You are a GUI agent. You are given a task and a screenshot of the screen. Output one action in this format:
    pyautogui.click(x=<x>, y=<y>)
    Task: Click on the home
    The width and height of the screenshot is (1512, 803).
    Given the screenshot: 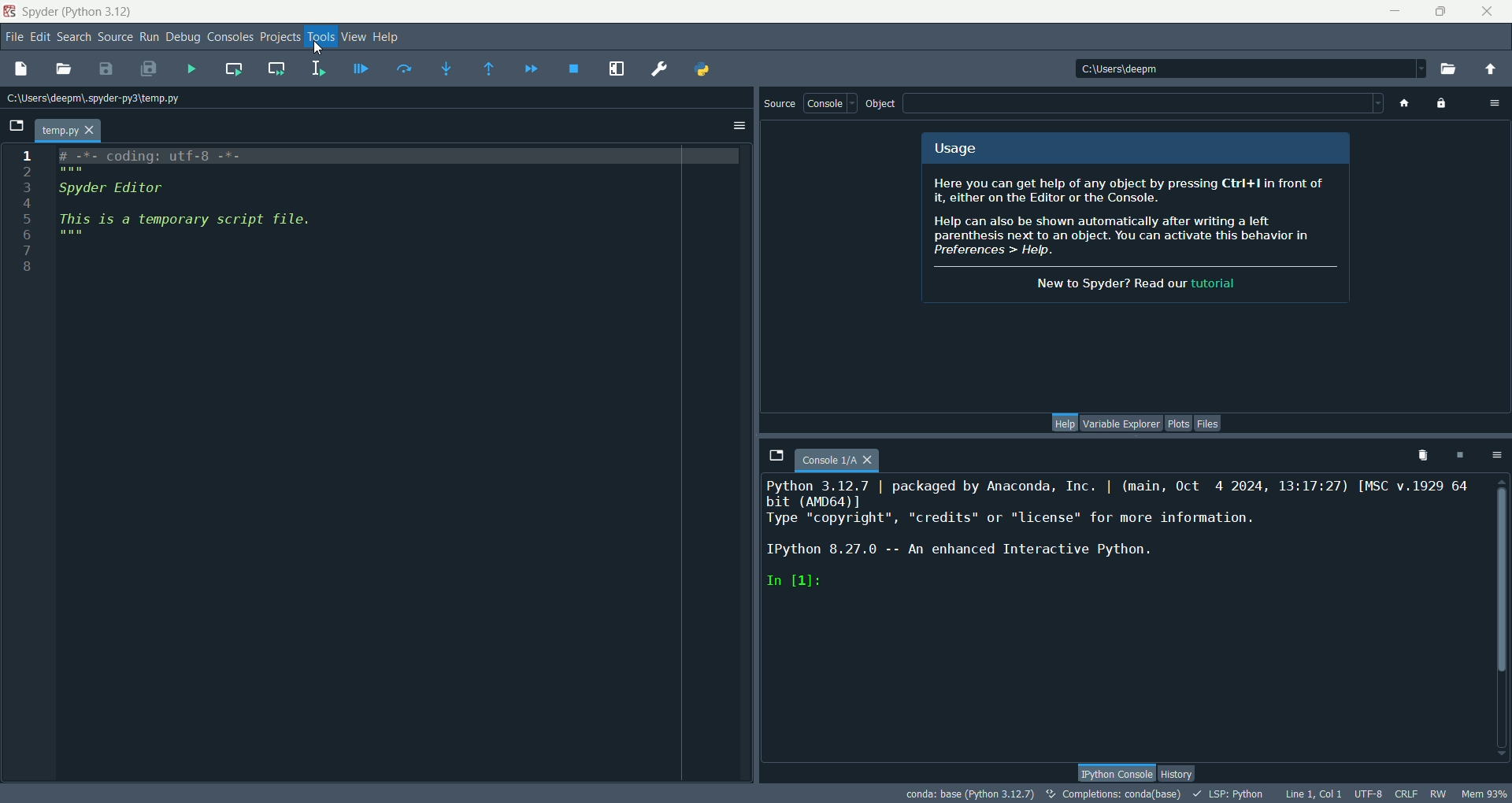 What is the action you would take?
    pyautogui.click(x=1402, y=102)
    